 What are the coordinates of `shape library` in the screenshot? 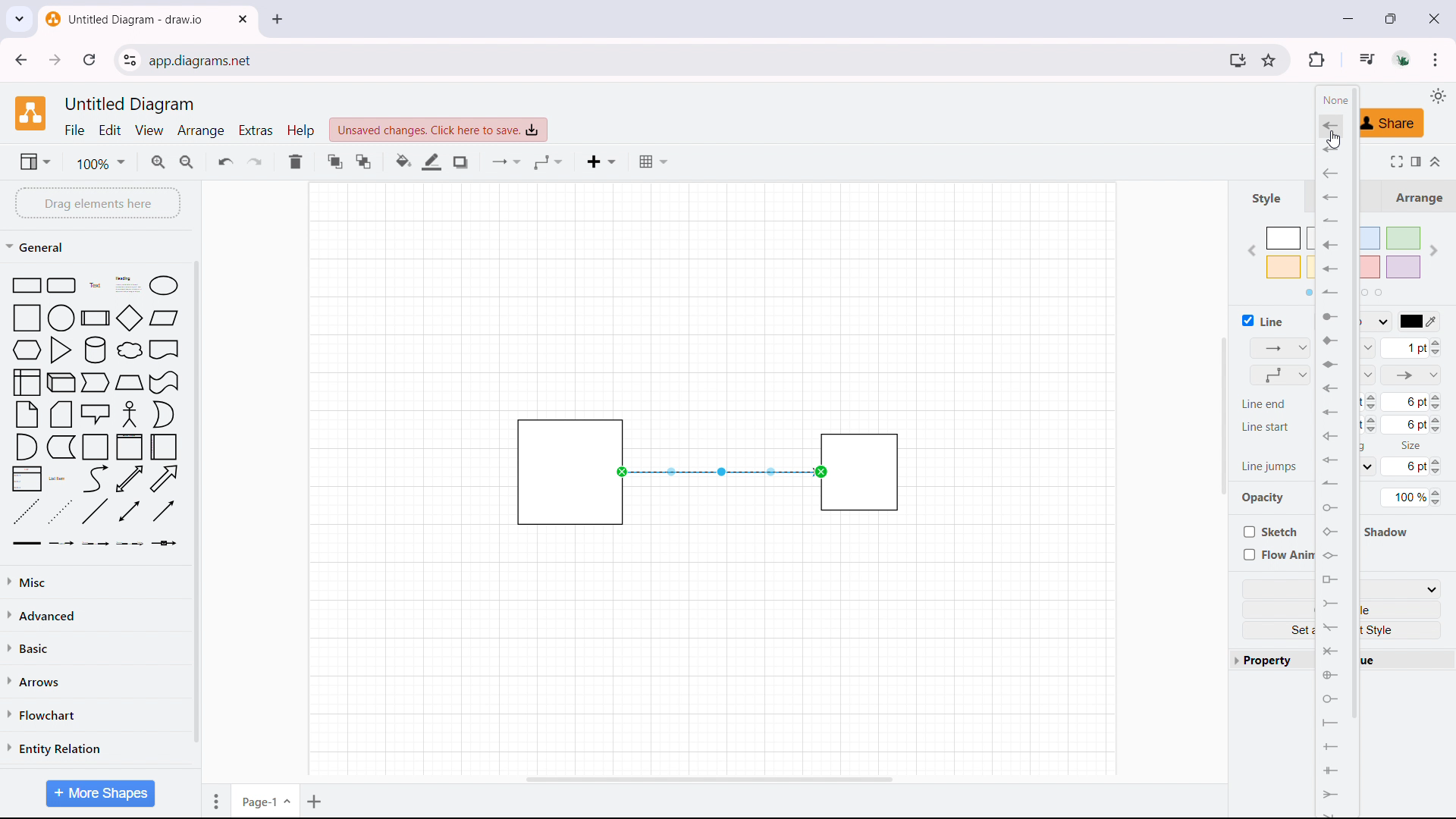 It's located at (96, 413).